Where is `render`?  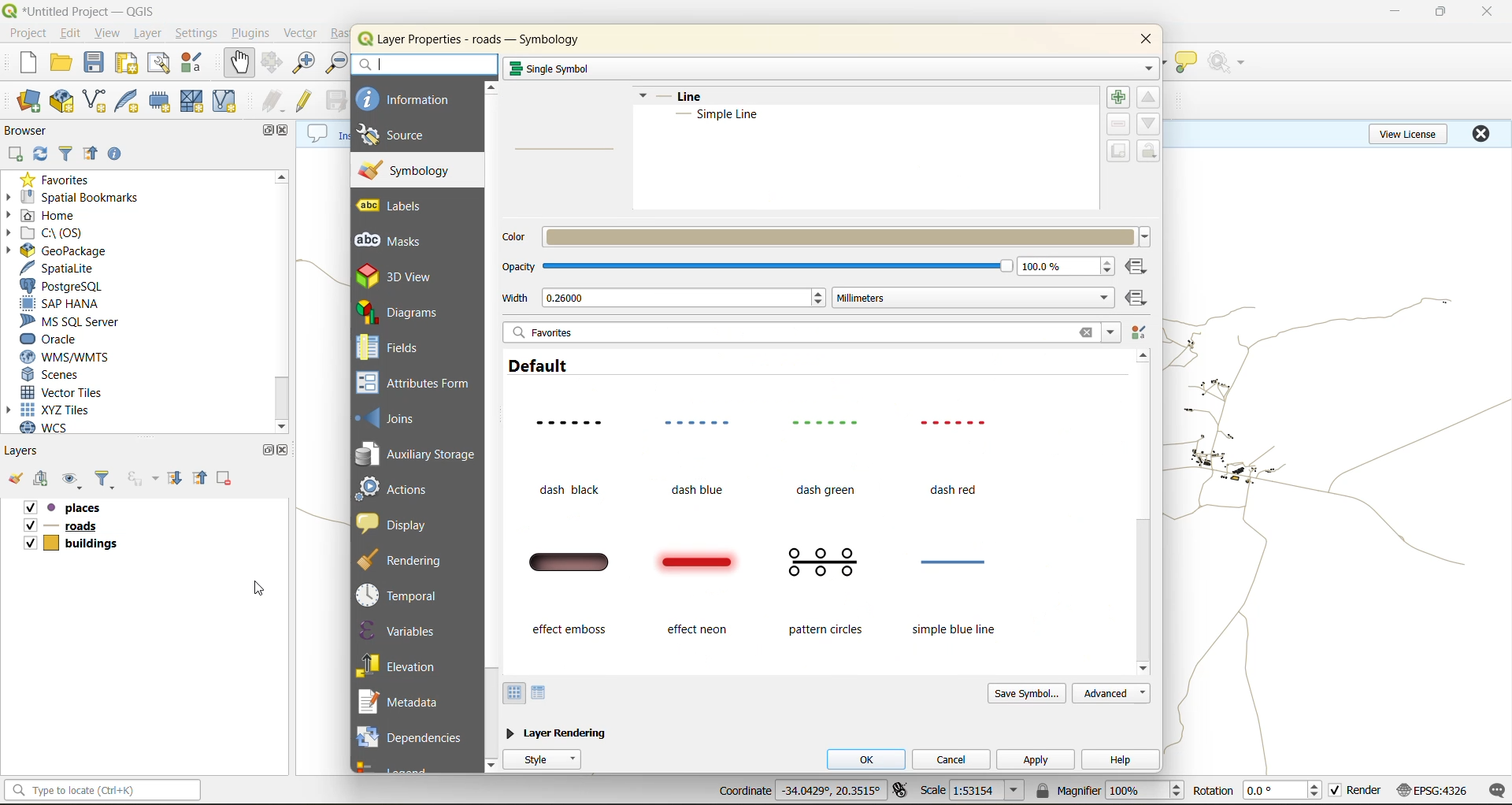 render is located at coordinates (1358, 792).